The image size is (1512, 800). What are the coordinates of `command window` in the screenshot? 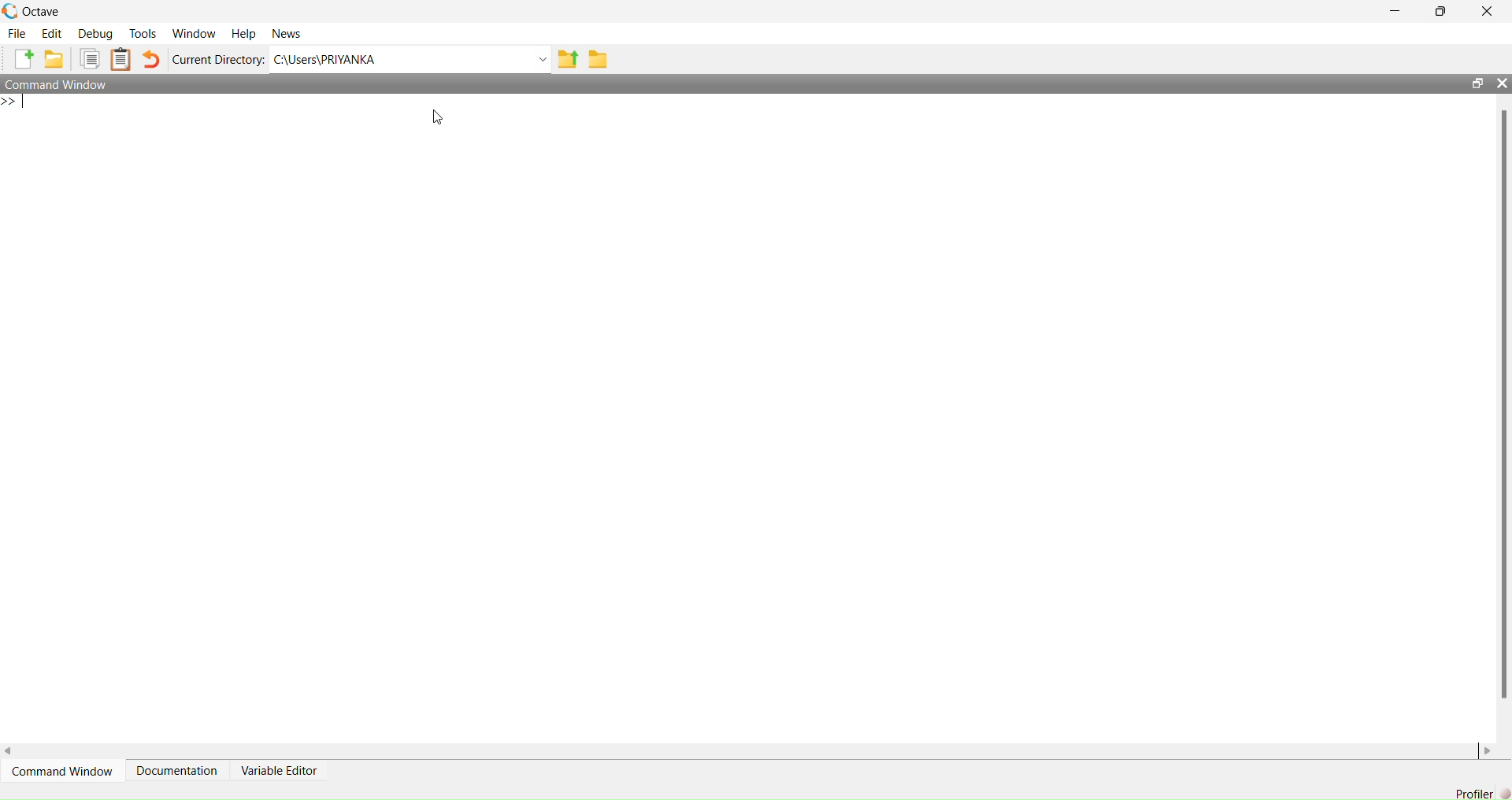 It's located at (65, 771).